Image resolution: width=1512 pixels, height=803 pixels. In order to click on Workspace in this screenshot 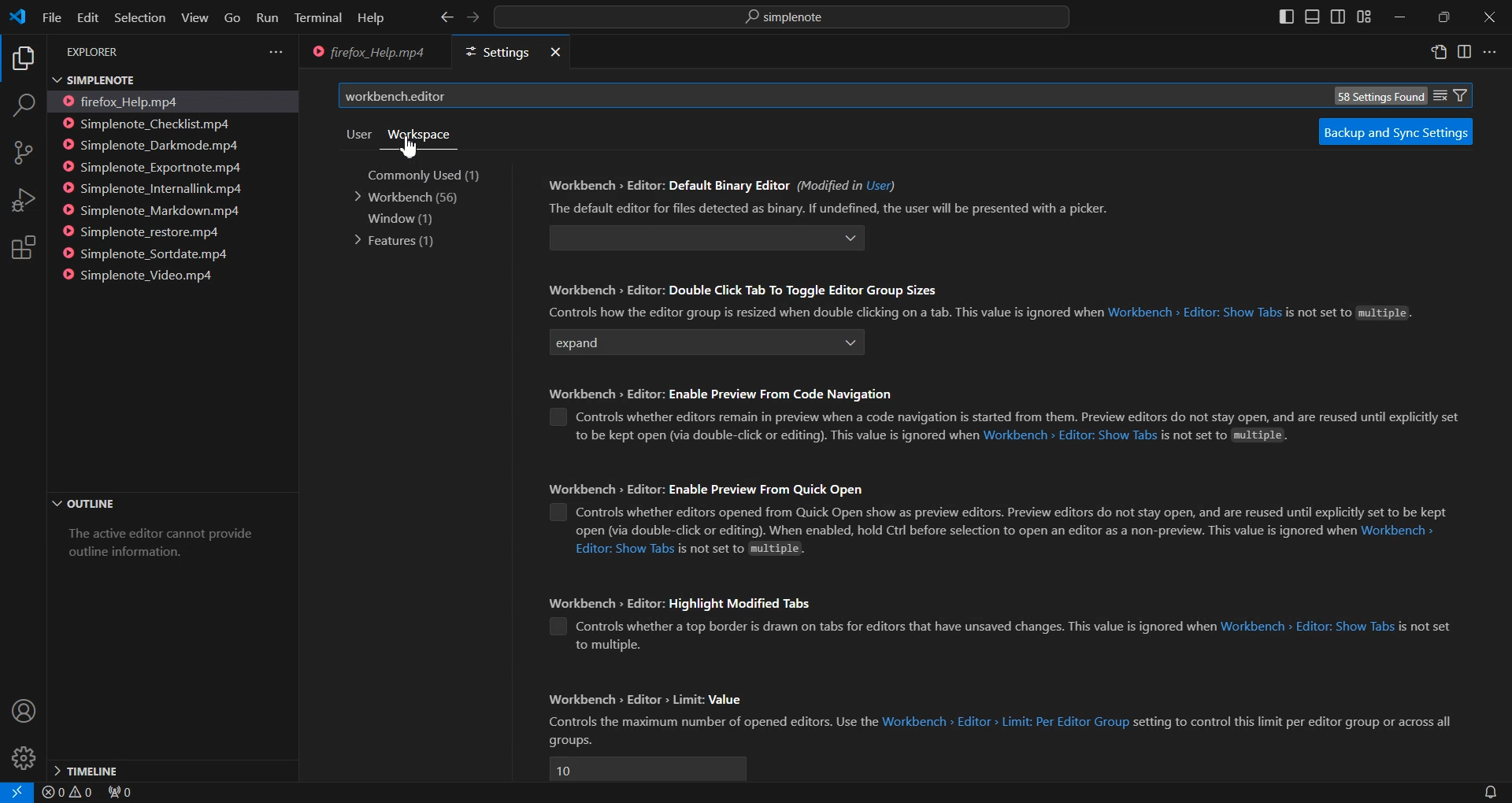, I will do `click(418, 135)`.